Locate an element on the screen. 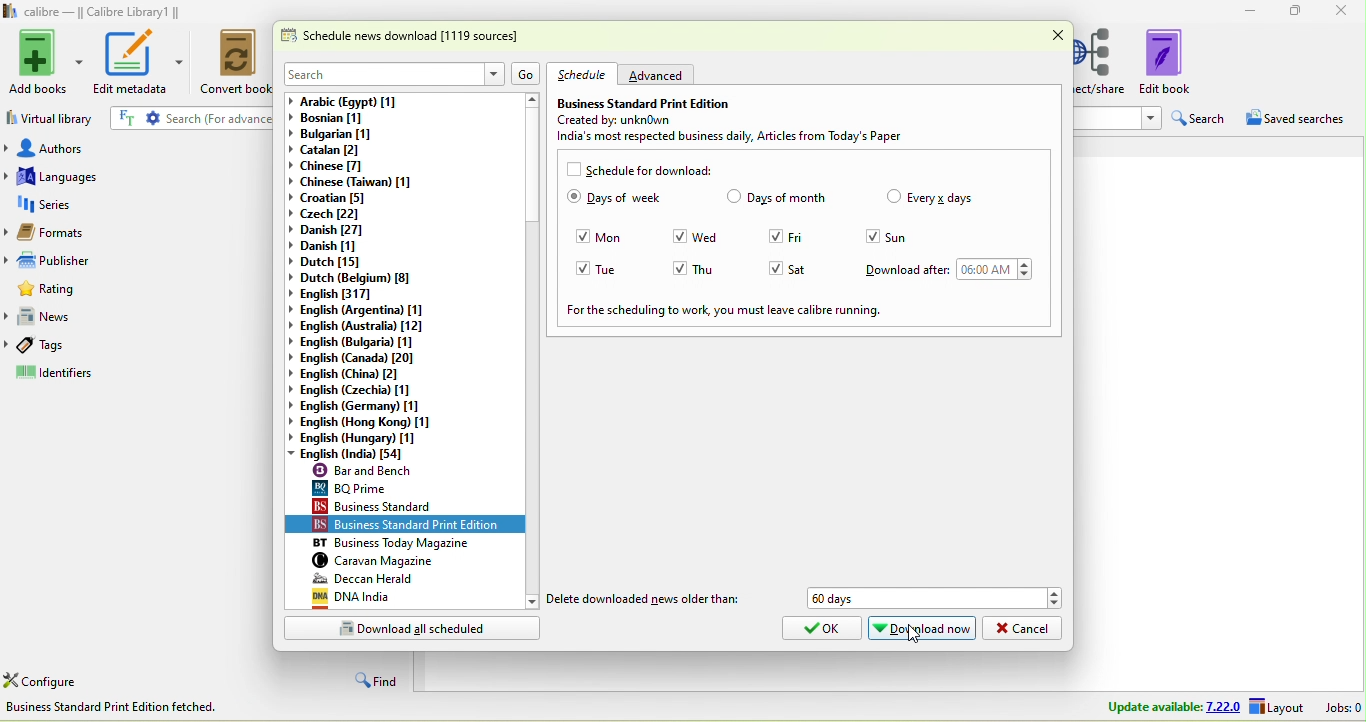 Image resolution: width=1366 pixels, height=722 pixels. close is located at coordinates (1057, 36).